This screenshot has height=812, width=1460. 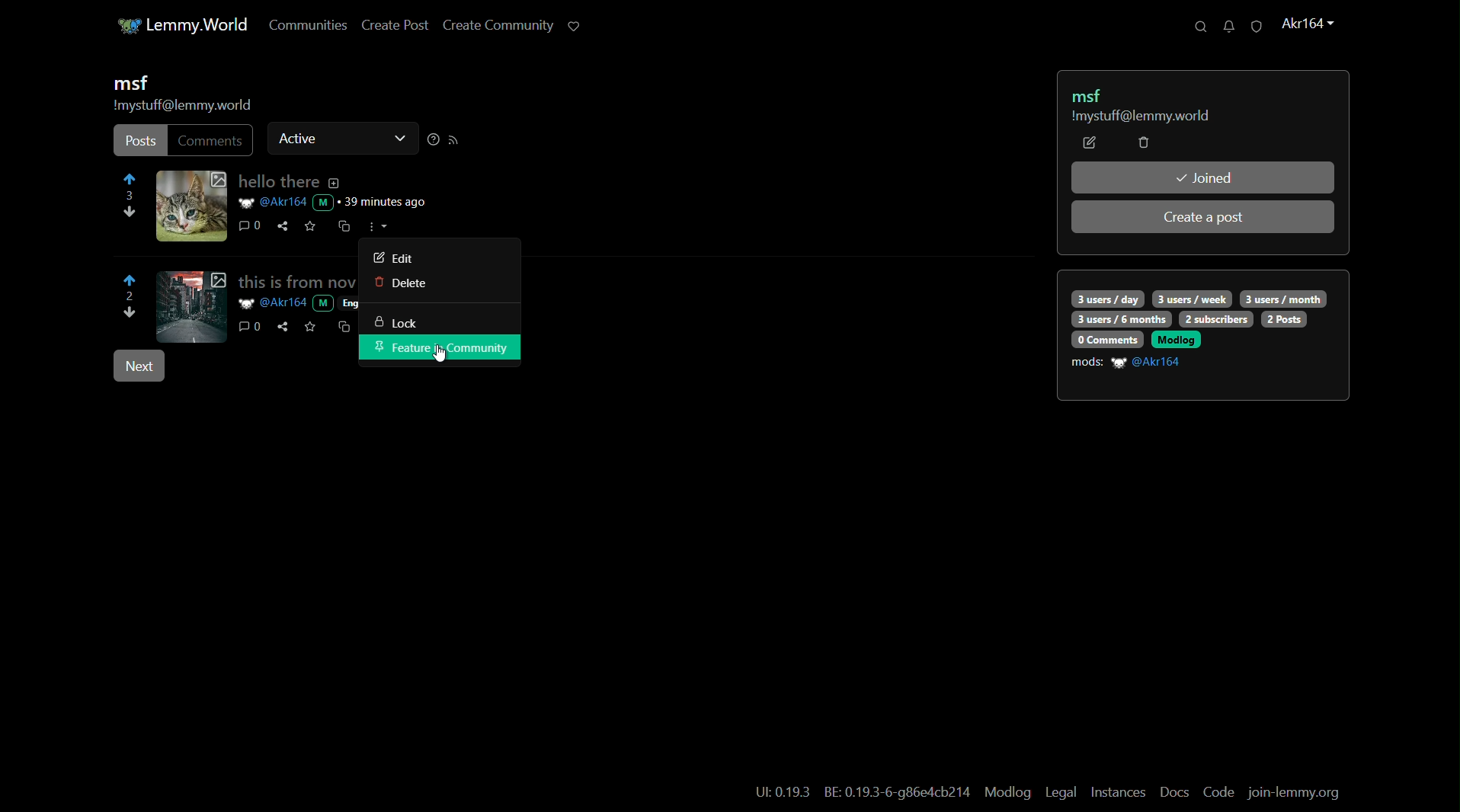 What do you see at coordinates (283, 226) in the screenshot?
I see `share` at bounding box center [283, 226].